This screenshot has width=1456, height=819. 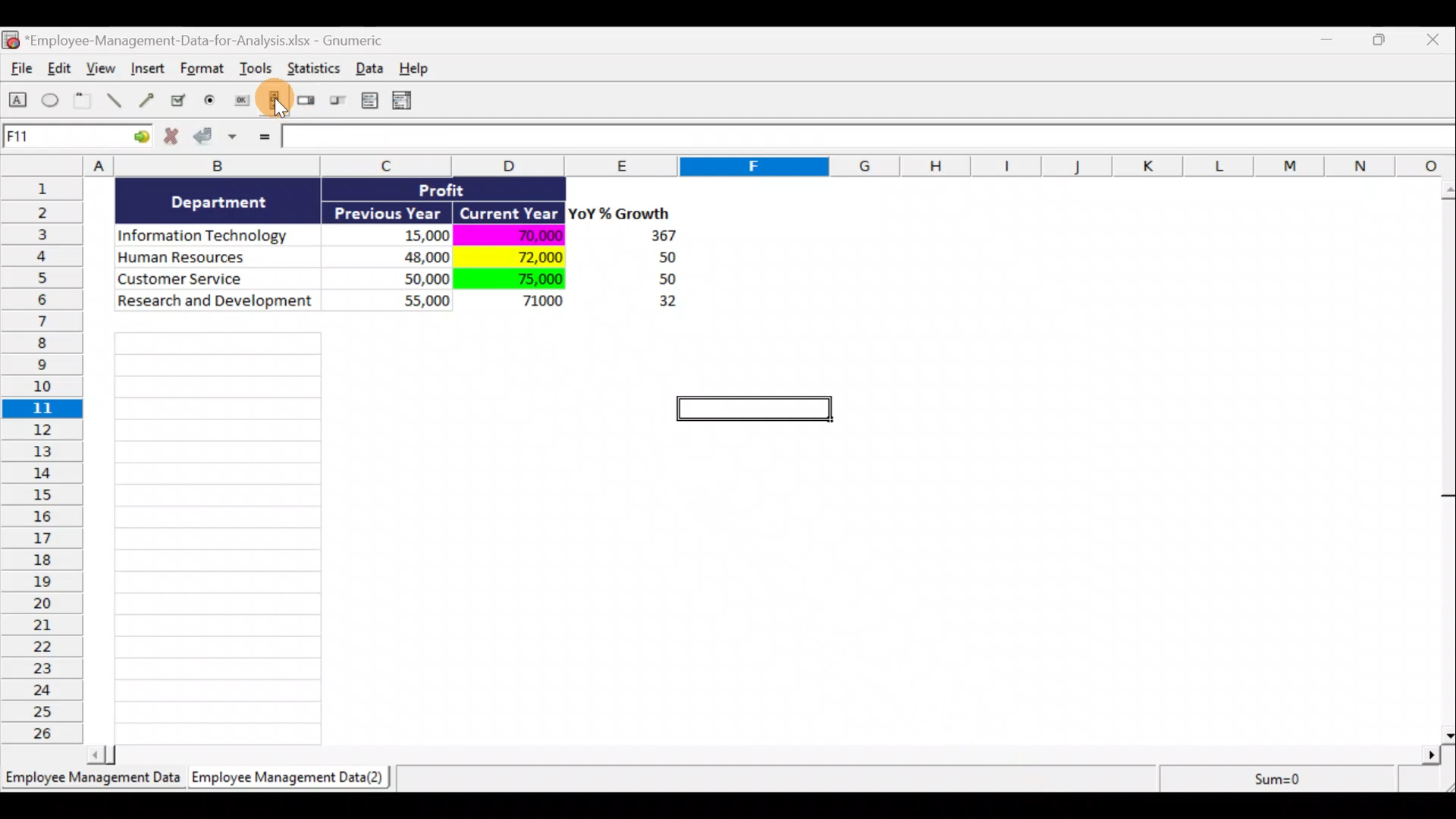 I want to click on Create a checkbox, so click(x=179, y=100).